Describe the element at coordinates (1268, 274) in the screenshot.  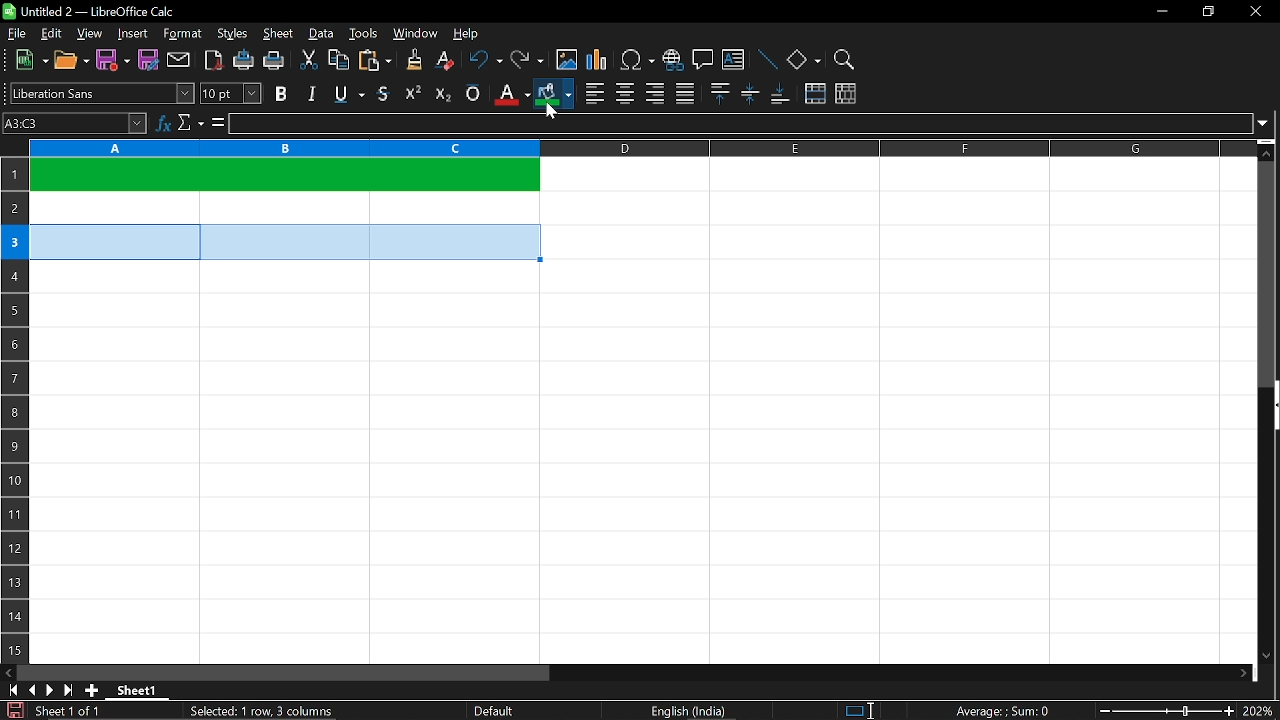
I see `vertical scrollbar` at that location.